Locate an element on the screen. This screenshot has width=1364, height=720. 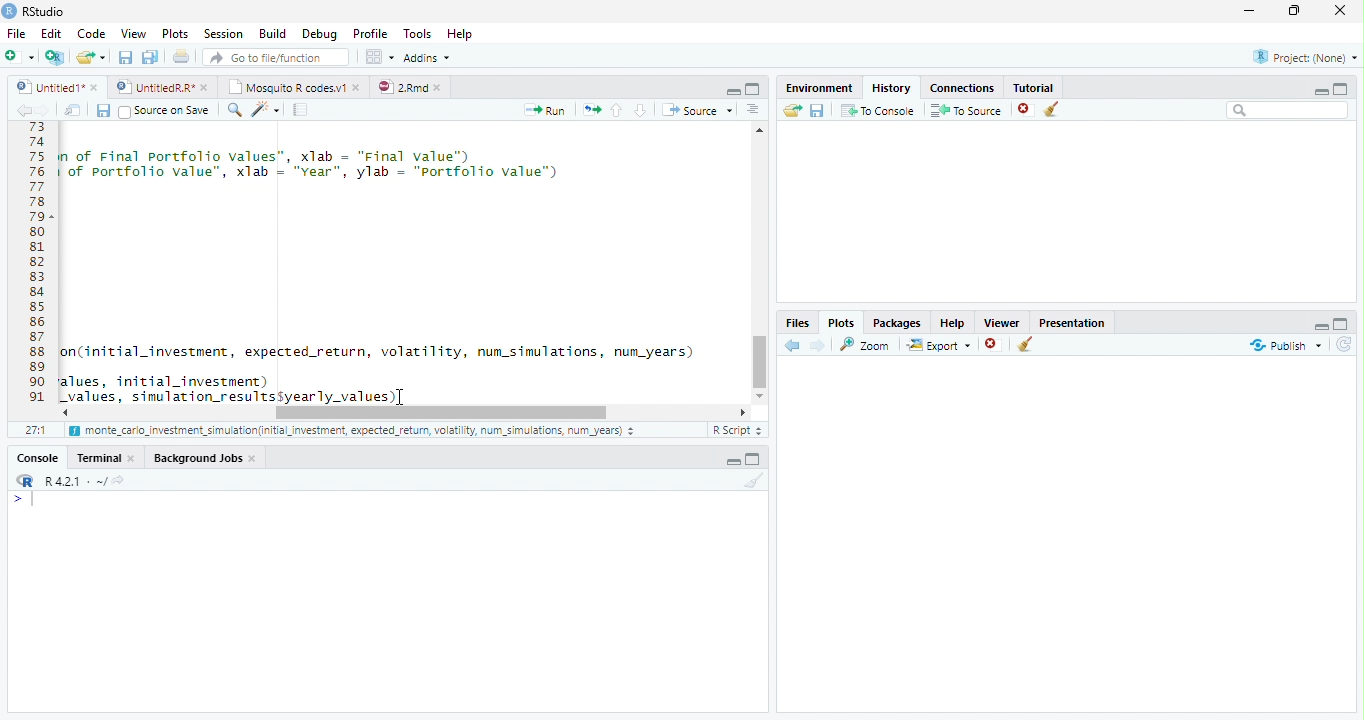
RStudio is located at coordinates (34, 11).